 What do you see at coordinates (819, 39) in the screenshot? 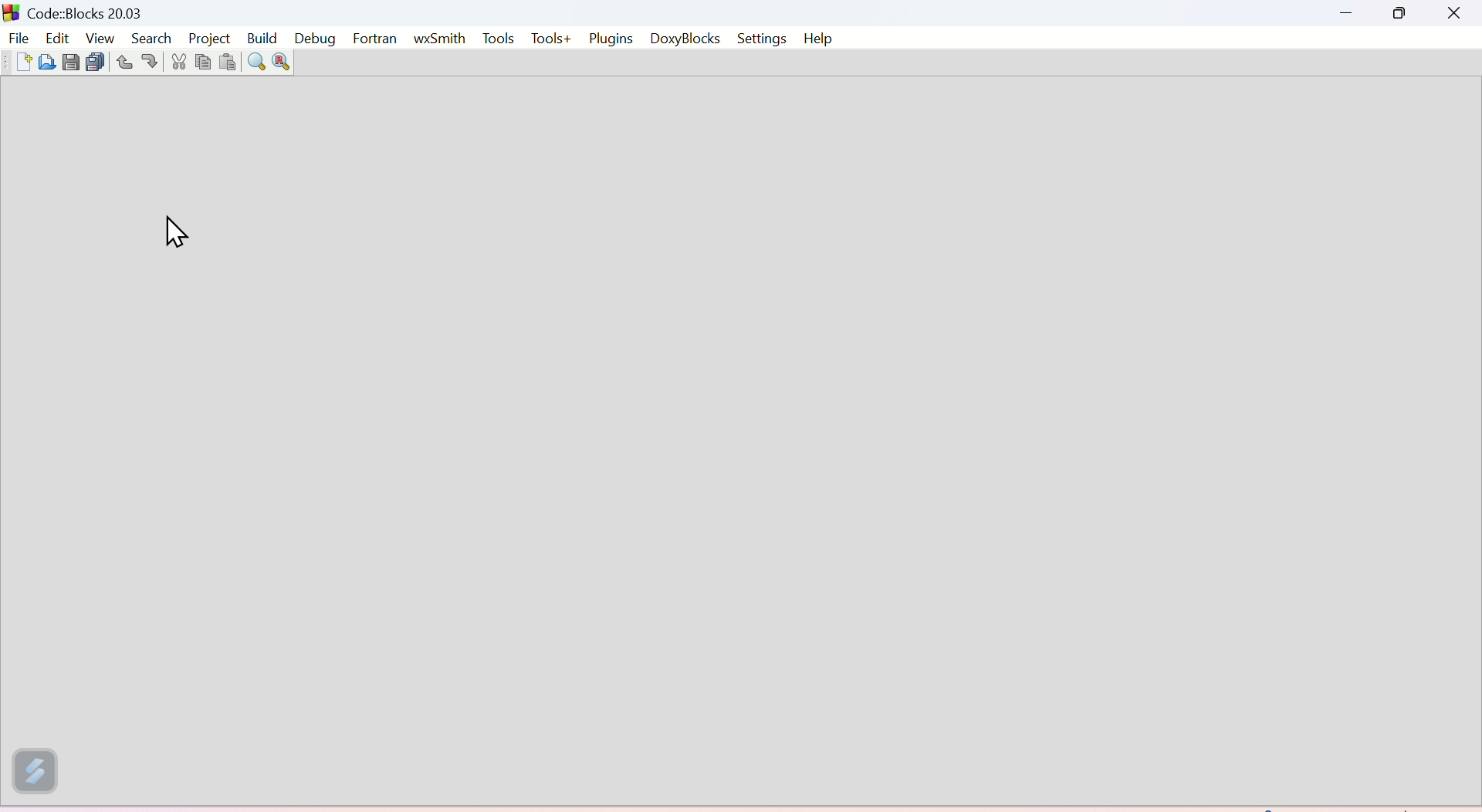
I see `help` at bounding box center [819, 39].